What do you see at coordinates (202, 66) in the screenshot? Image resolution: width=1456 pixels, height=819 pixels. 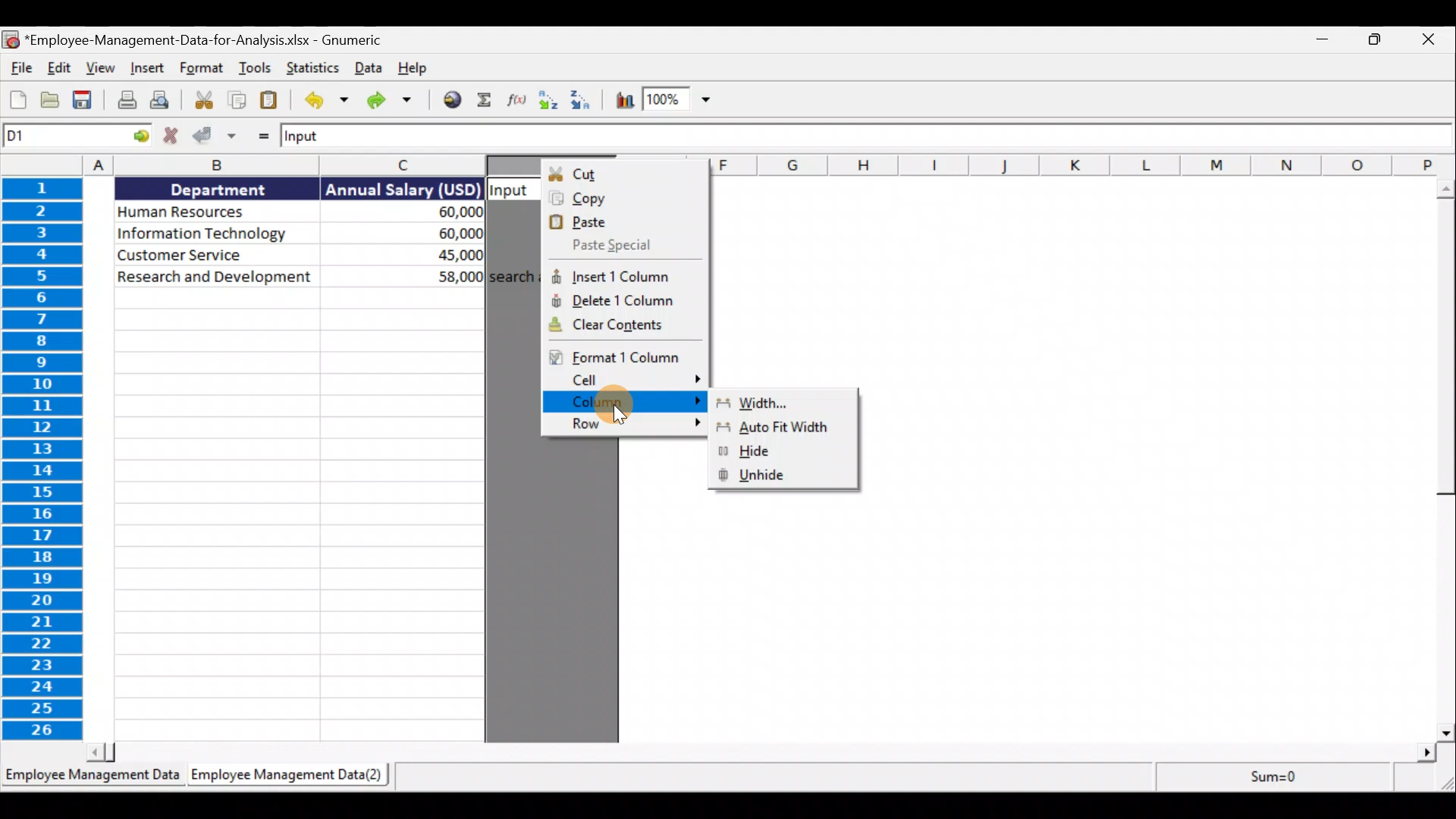 I see `Format` at bounding box center [202, 66].